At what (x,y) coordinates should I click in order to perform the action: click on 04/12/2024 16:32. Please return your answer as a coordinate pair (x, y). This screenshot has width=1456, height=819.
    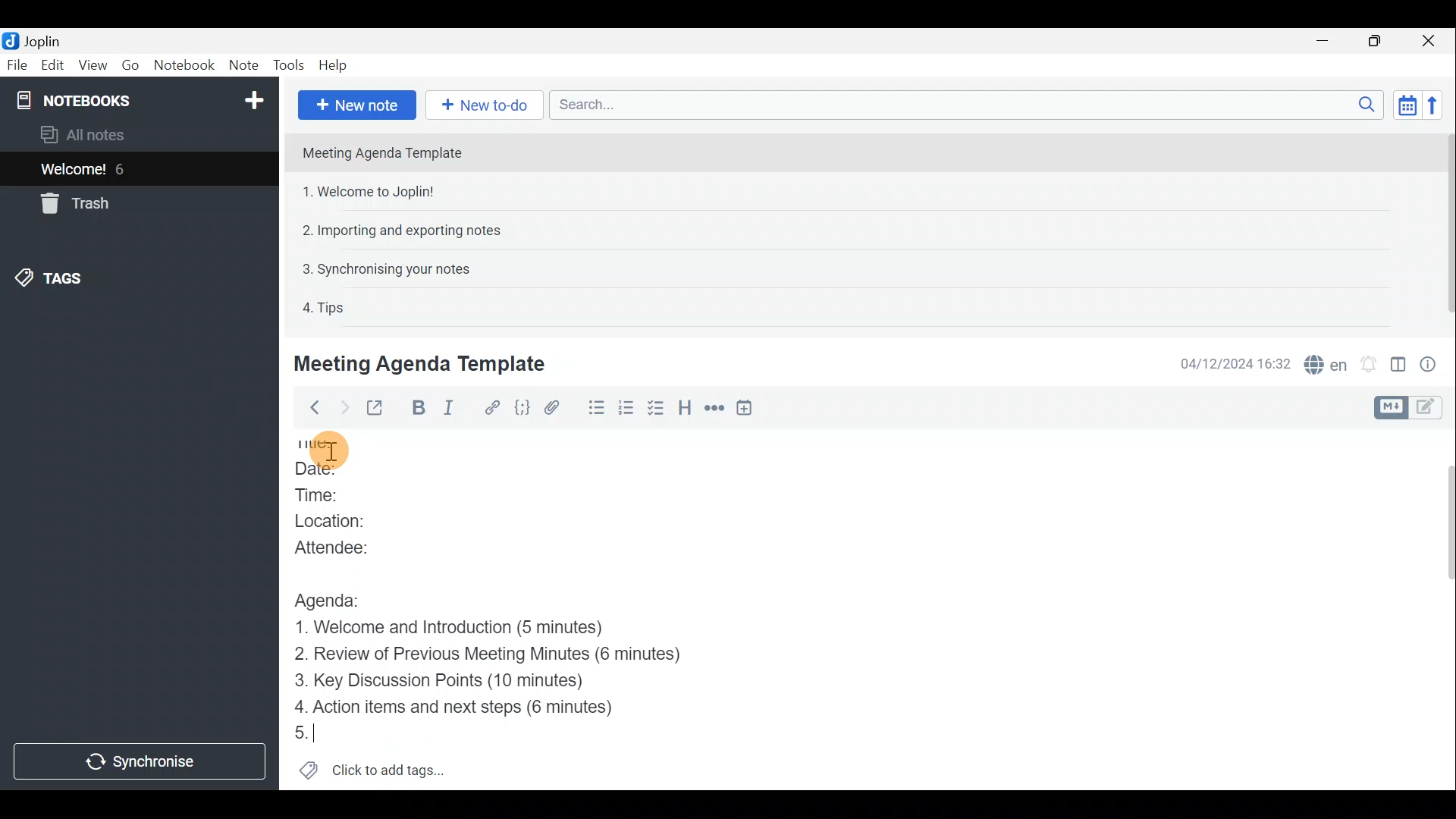
    Looking at the image, I should click on (1228, 362).